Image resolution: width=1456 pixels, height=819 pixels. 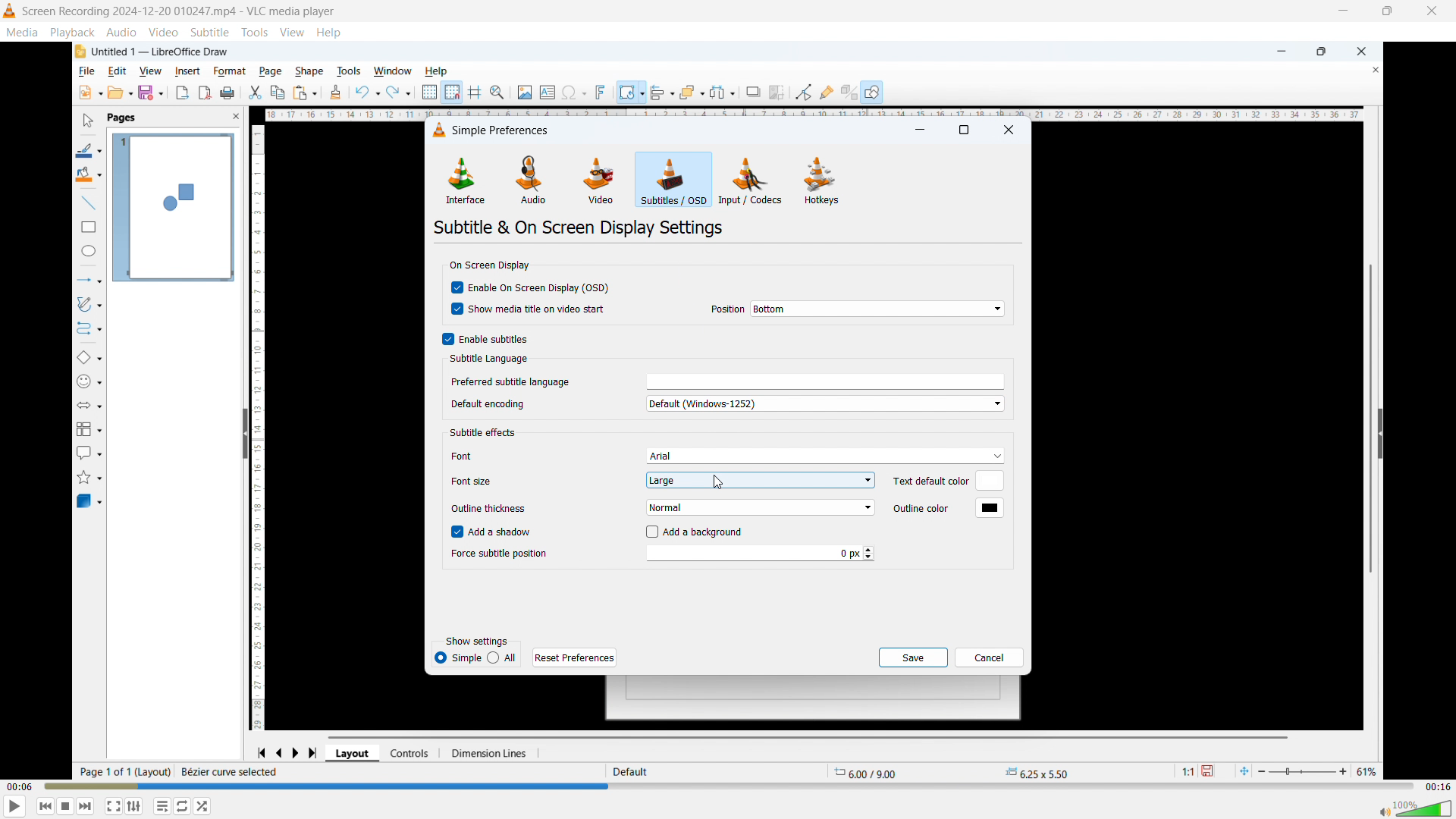 I want to click on Subtitle language , so click(x=489, y=359).